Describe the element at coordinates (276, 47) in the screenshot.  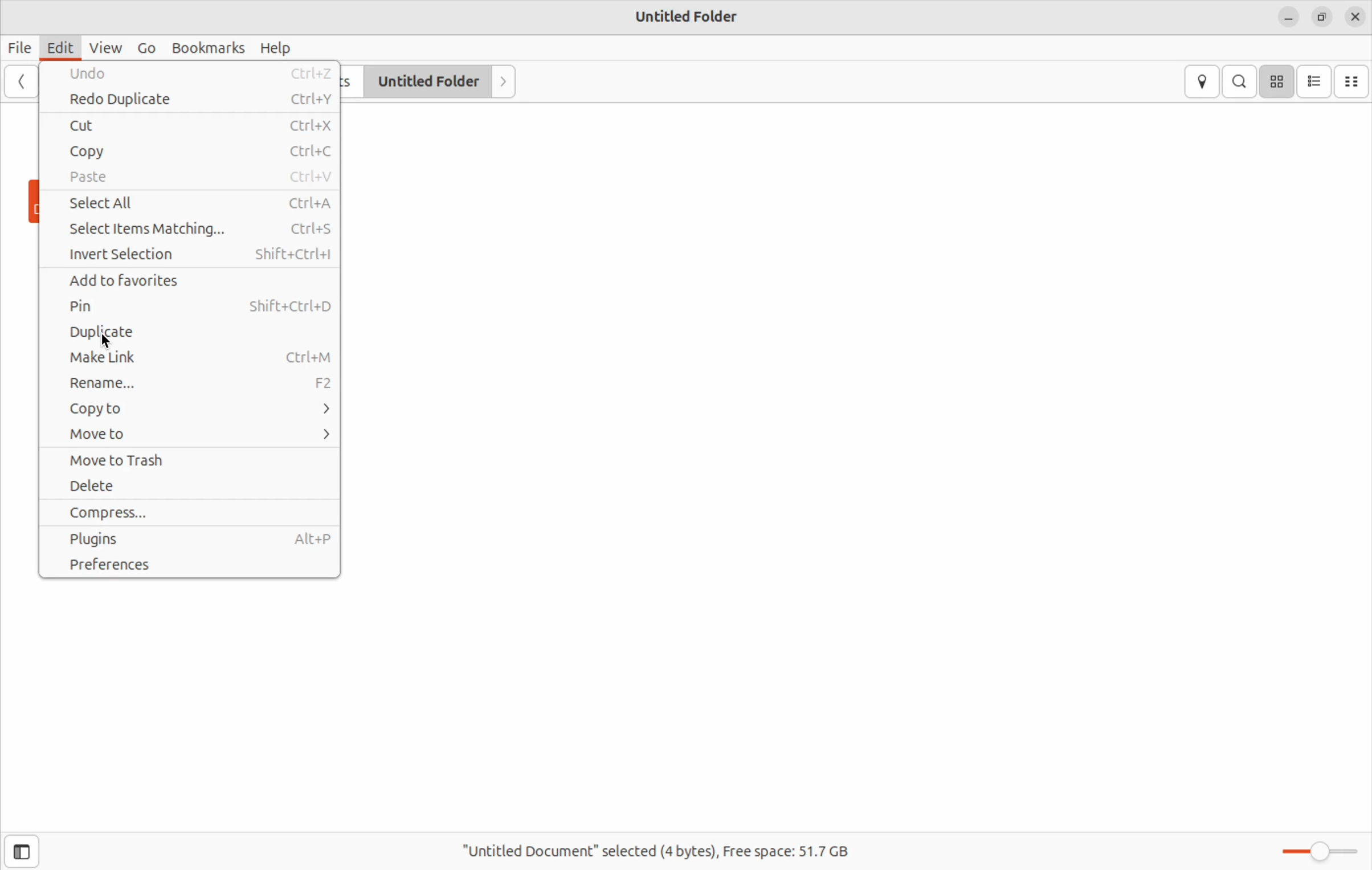
I see `Help` at that location.